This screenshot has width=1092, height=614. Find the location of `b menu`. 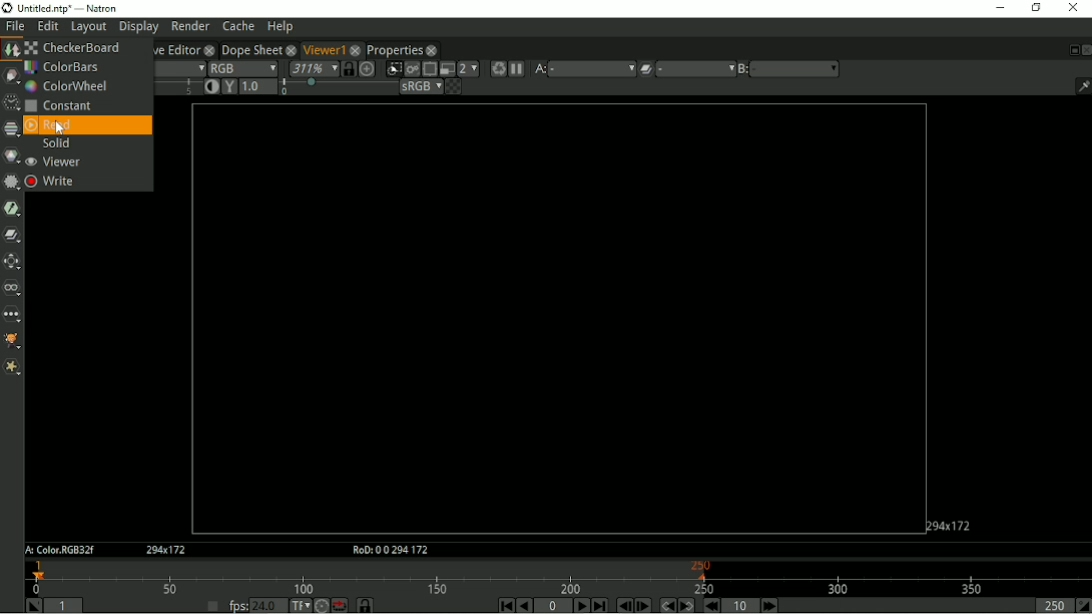

b menu is located at coordinates (797, 69).